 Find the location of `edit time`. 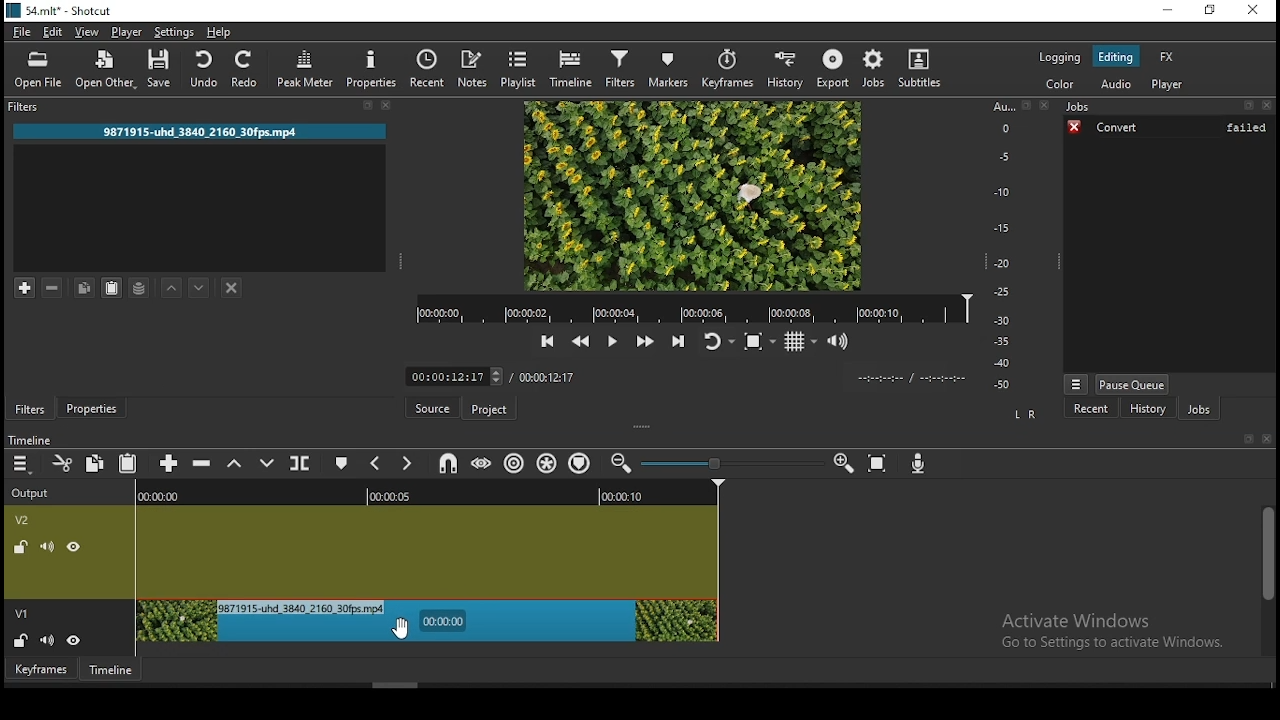

edit time is located at coordinates (455, 376).